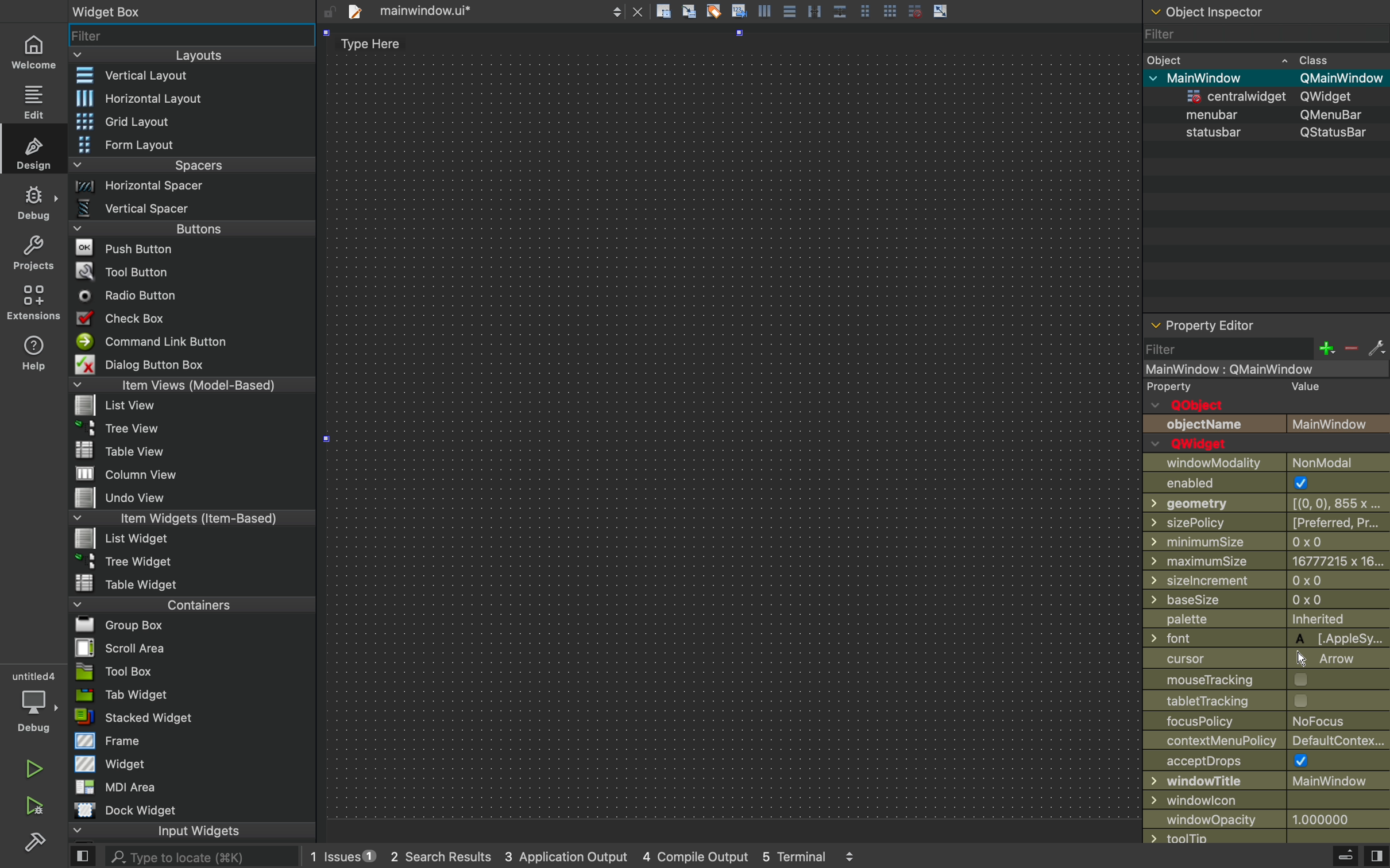 The height and width of the screenshot is (868, 1390). What do you see at coordinates (33, 99) in the screenshot?
I see `edit` at bounding box center [33, 99].